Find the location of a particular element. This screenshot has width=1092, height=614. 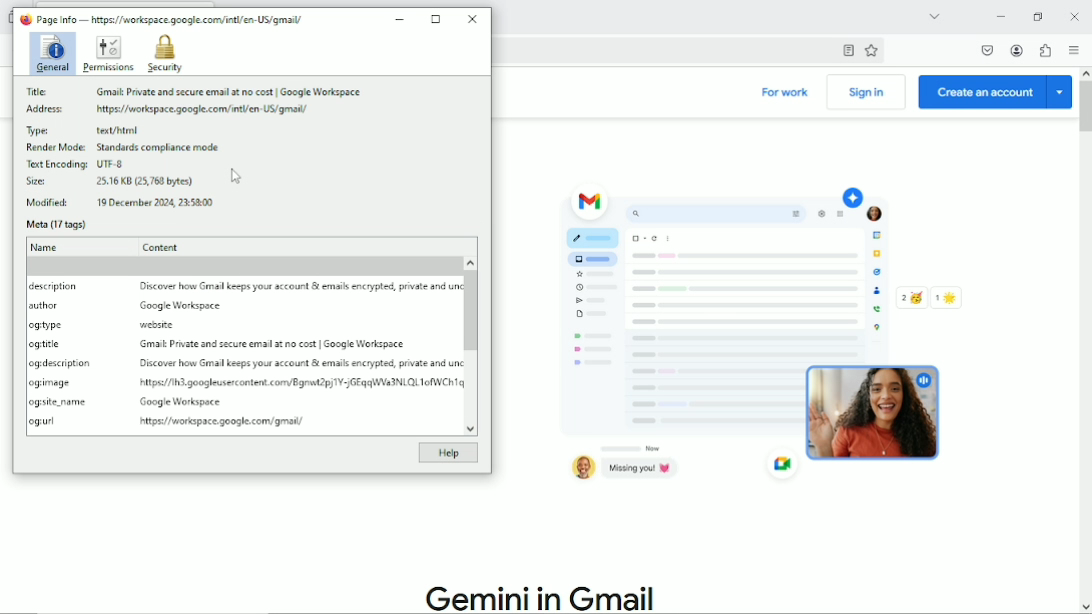

Page Info — hetps:// workspace googie comvintl en US/gmail/ is located at coordinates (161, 19).